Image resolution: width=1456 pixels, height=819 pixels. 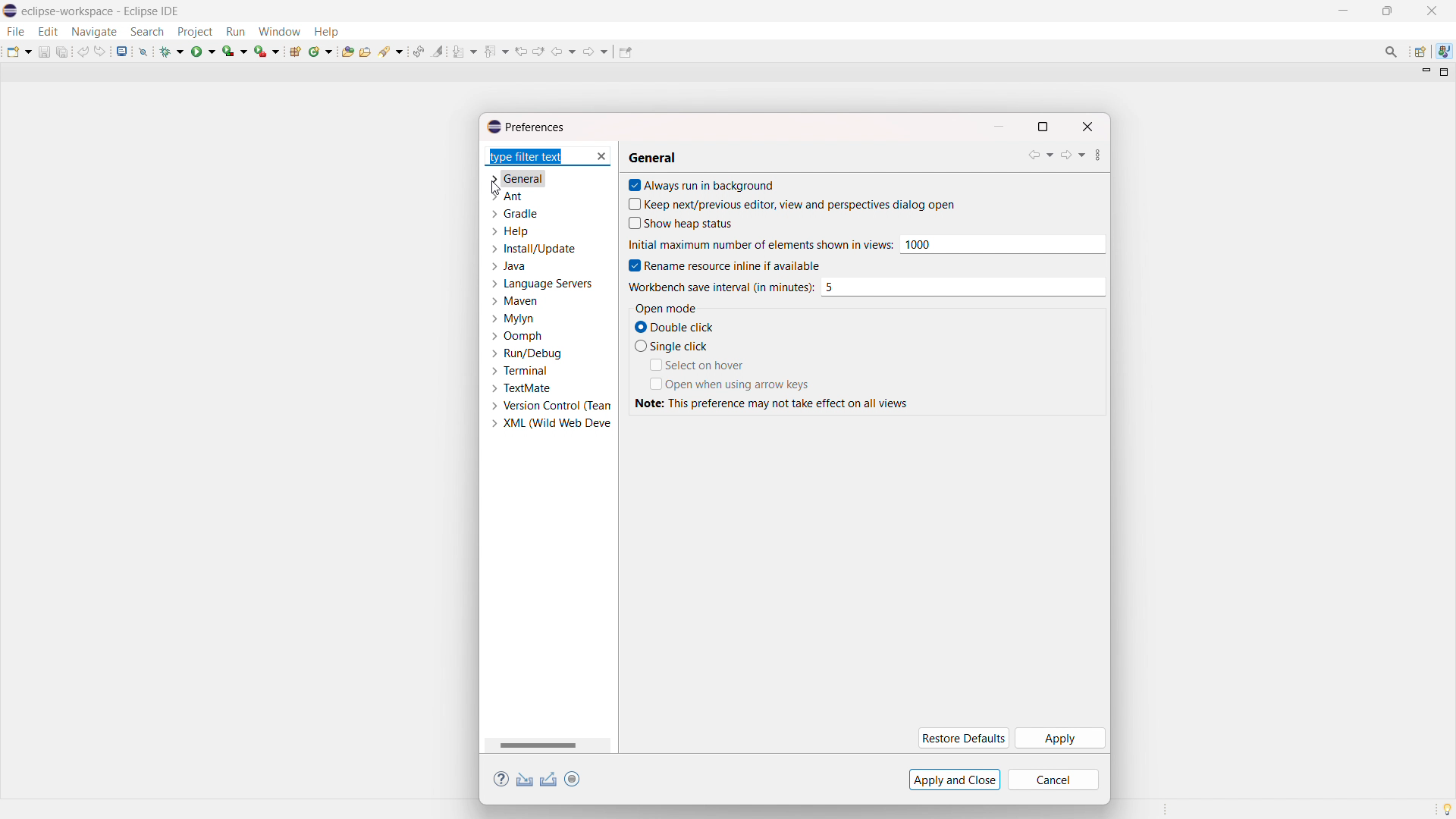 What do you see at coordinates (235, 32) in the screenshot?
I see `run` at bounding box center [235, 32].